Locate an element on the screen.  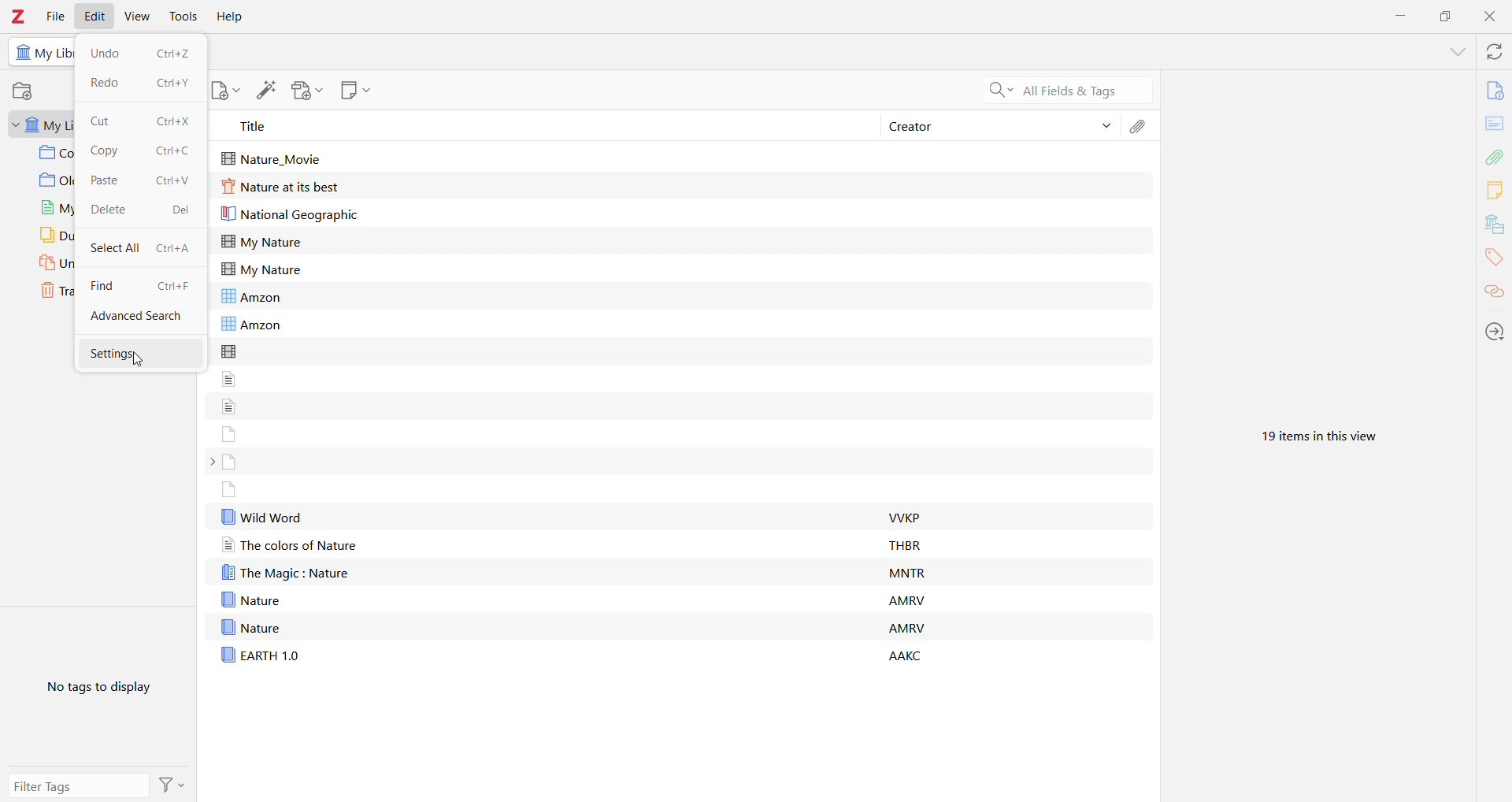
List all Tabs is located at coordinates (1455, 50).